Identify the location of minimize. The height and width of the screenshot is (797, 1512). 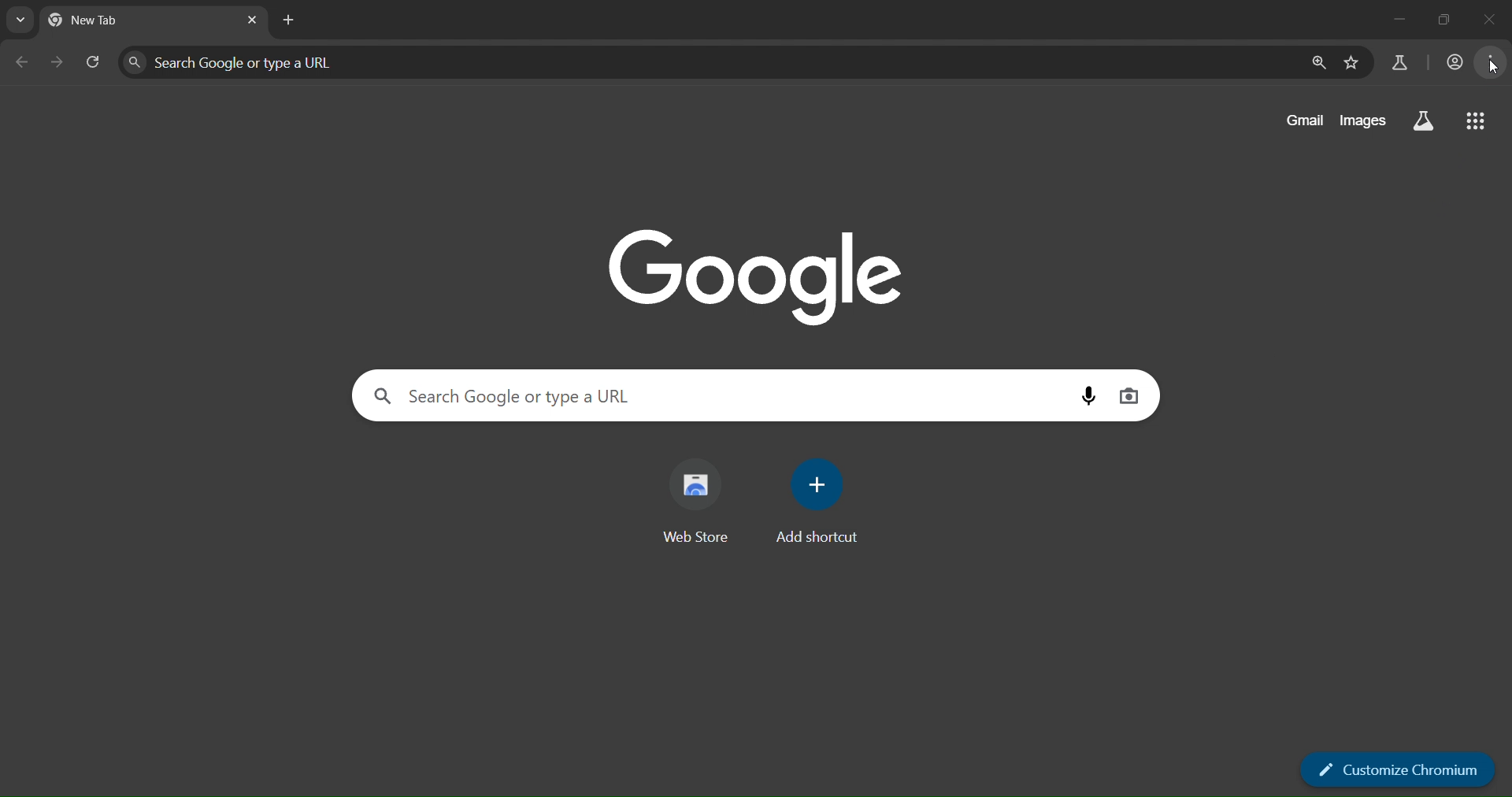
(1396, 16).